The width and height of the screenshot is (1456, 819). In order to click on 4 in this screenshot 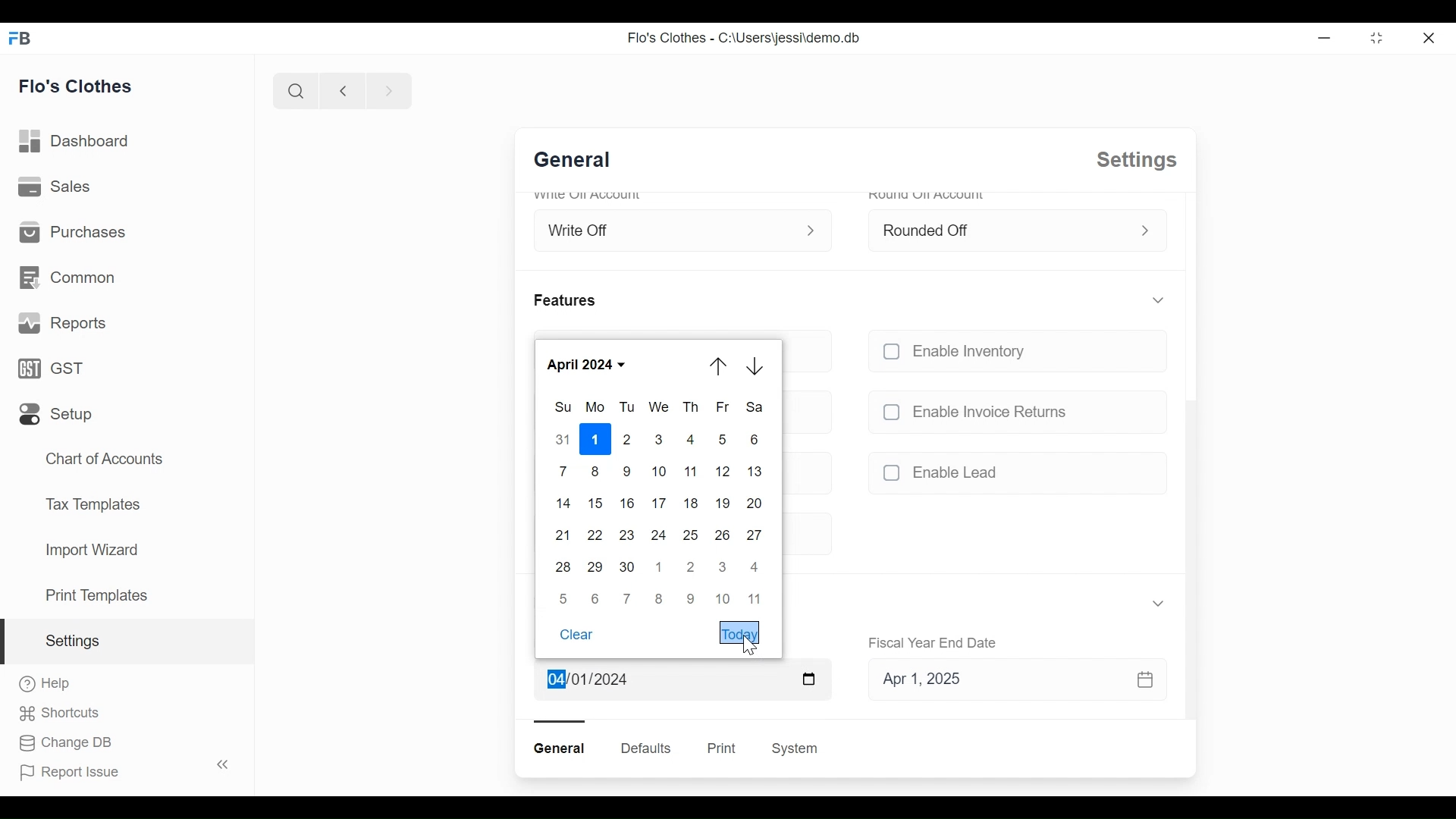, I will do `click(690, 440)`.